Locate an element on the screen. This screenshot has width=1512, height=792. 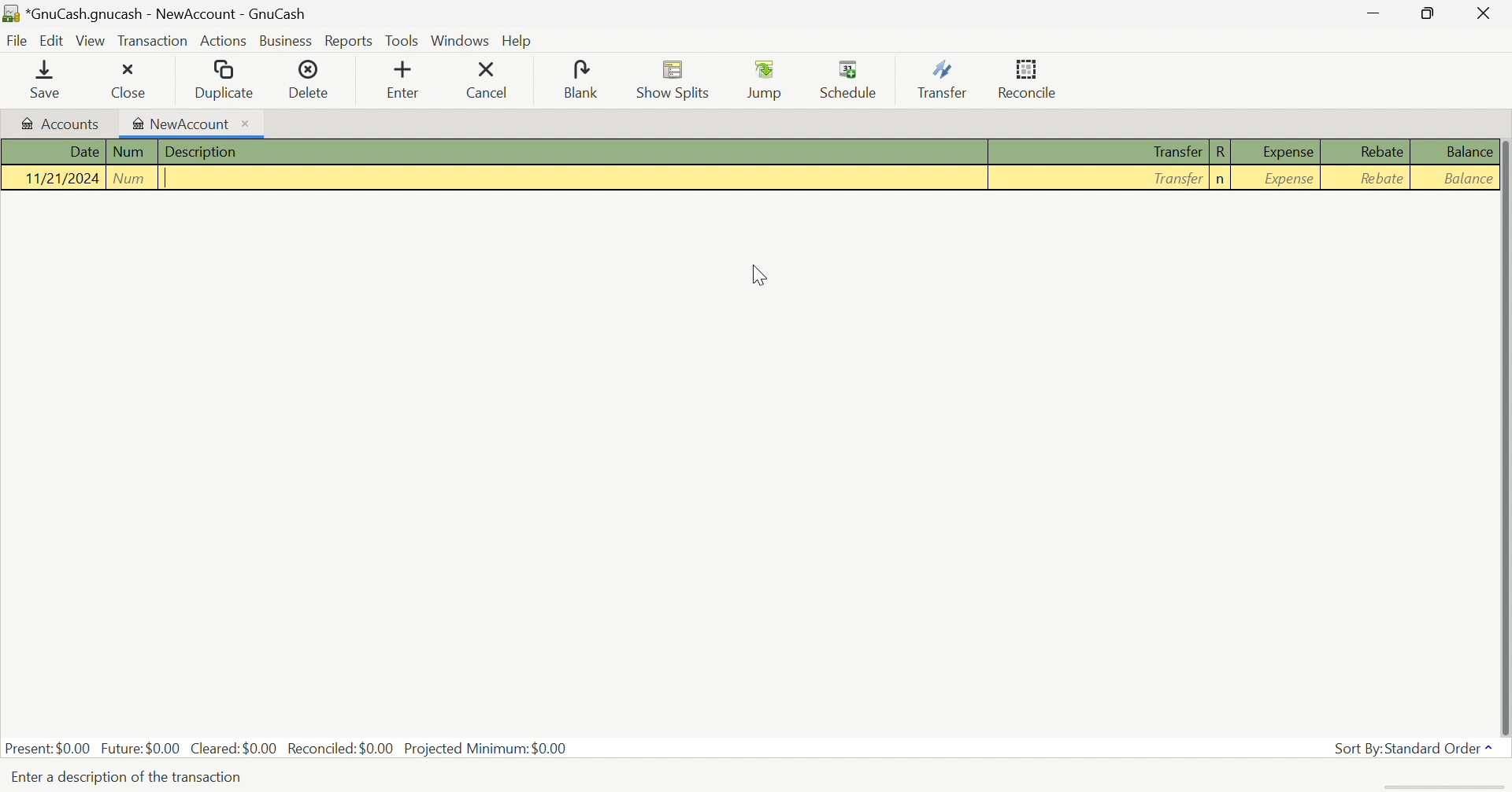
close is located at coordinates (130, 81).